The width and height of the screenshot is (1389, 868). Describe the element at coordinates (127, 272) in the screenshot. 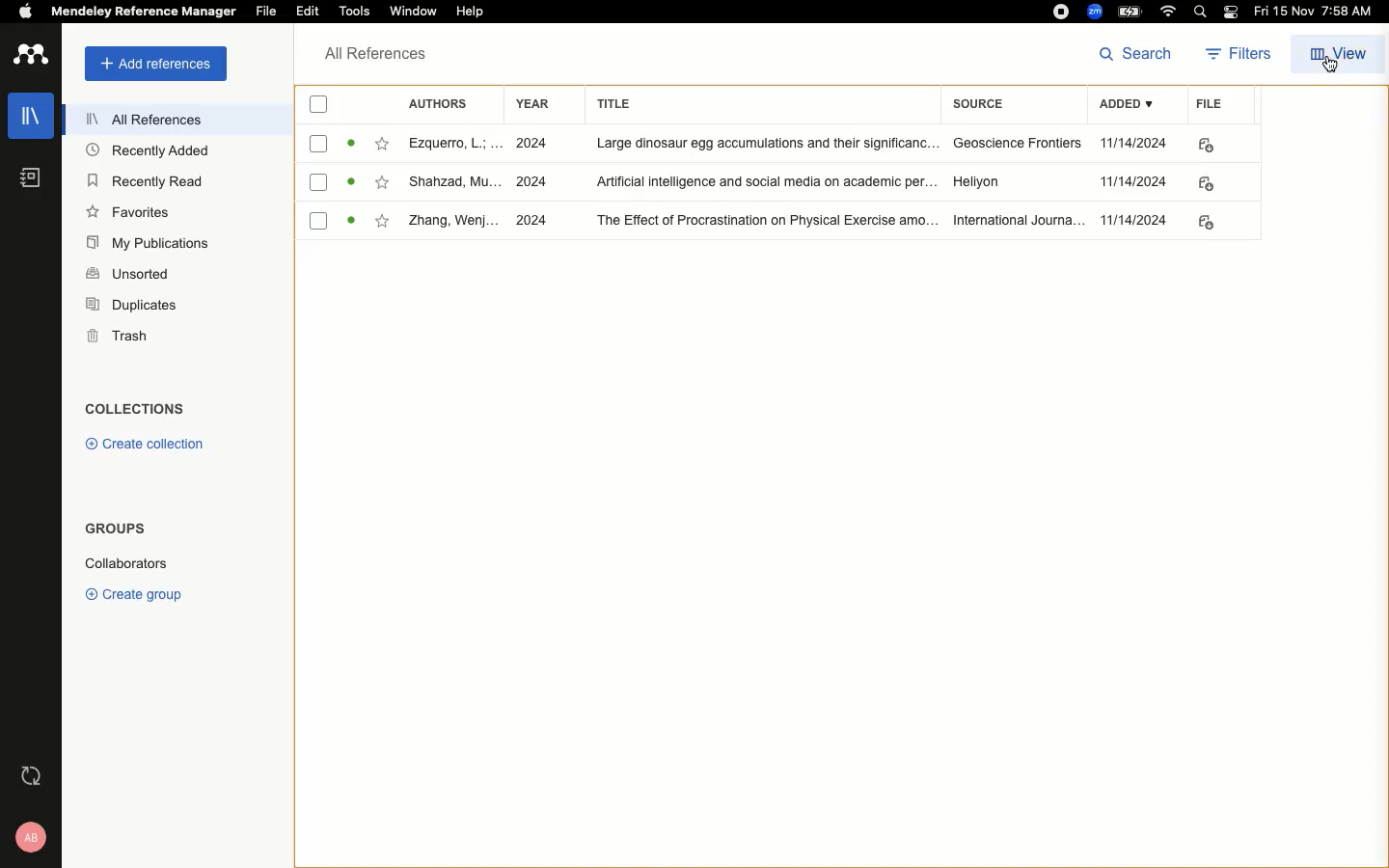

I see `Unsorted` at that location.